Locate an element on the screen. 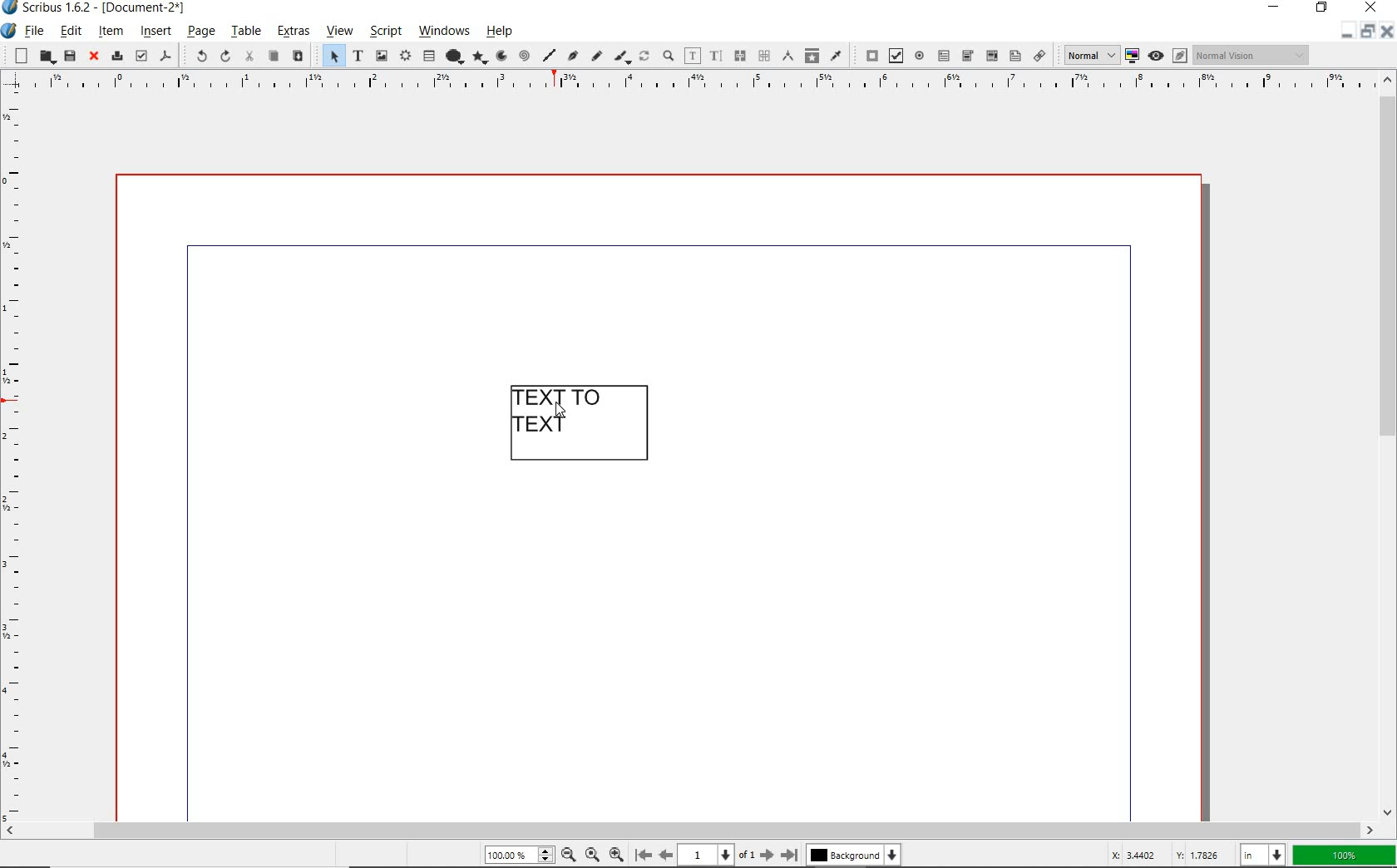  new is located at coordinates (17, 56).